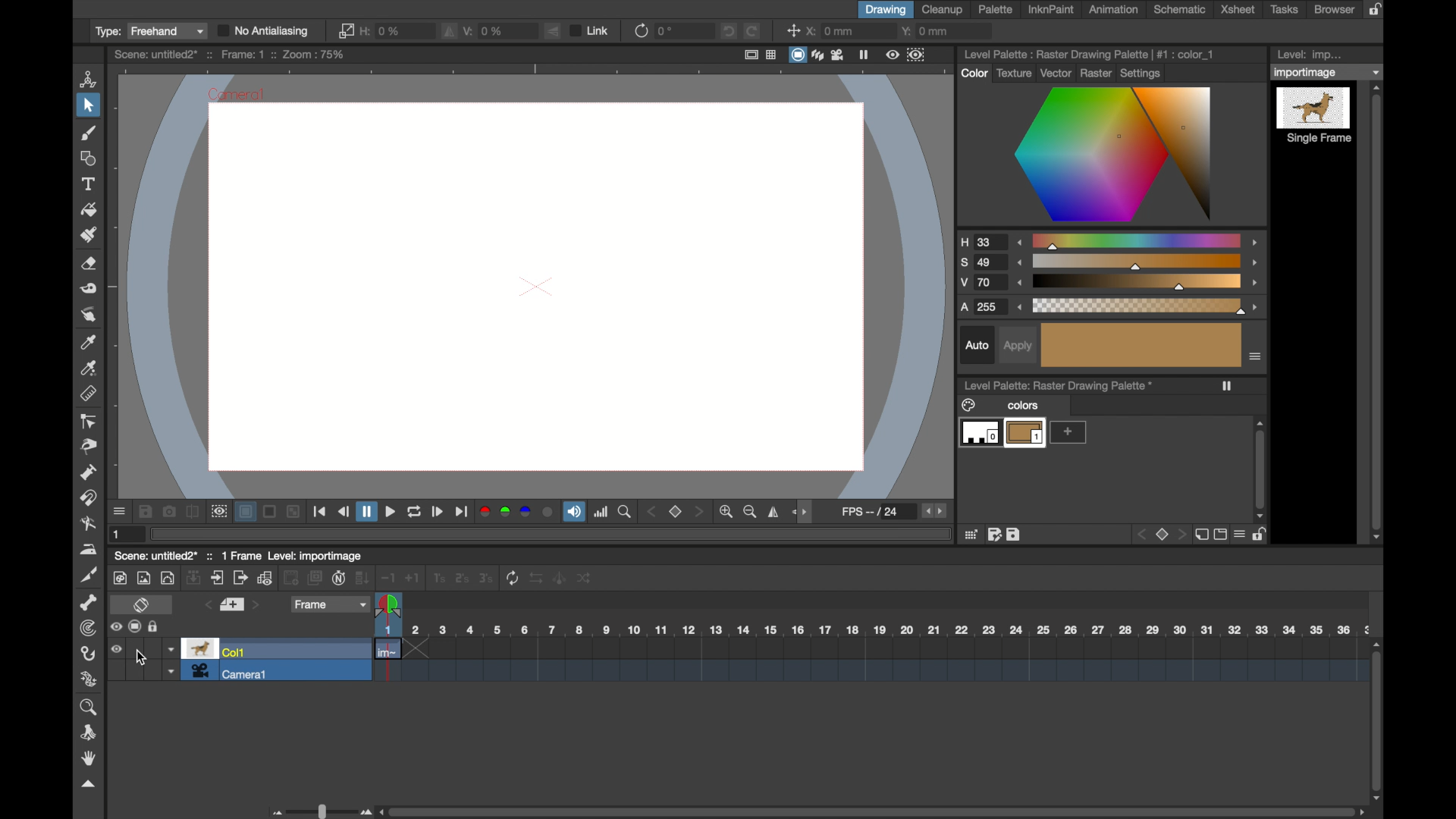  What do you see at coordinates (548, 513) in the screenshot?
I see `circle` at bounding box center [548, 513].